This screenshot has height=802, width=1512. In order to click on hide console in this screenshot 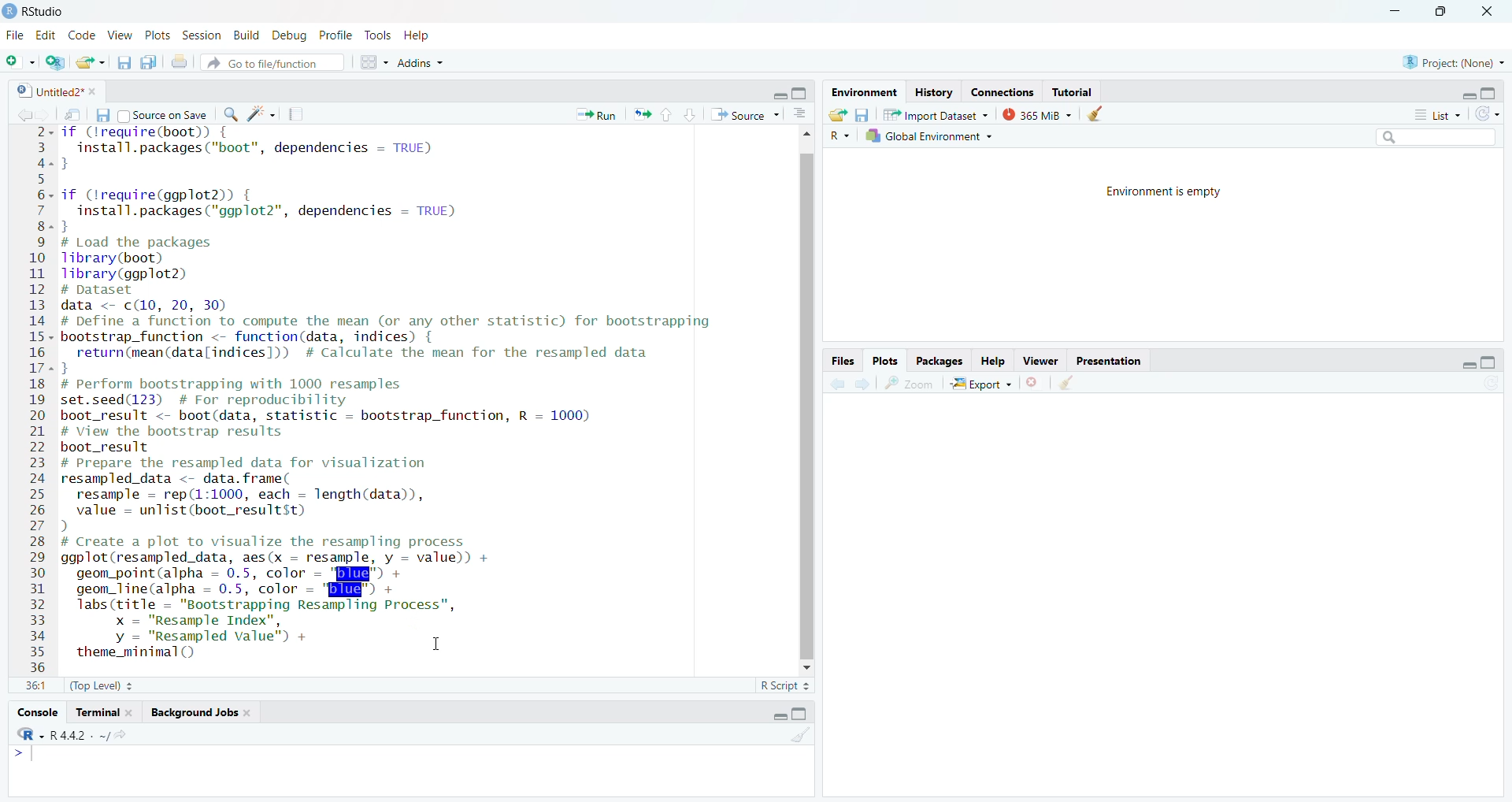, I will do `click(1490, 361)`.